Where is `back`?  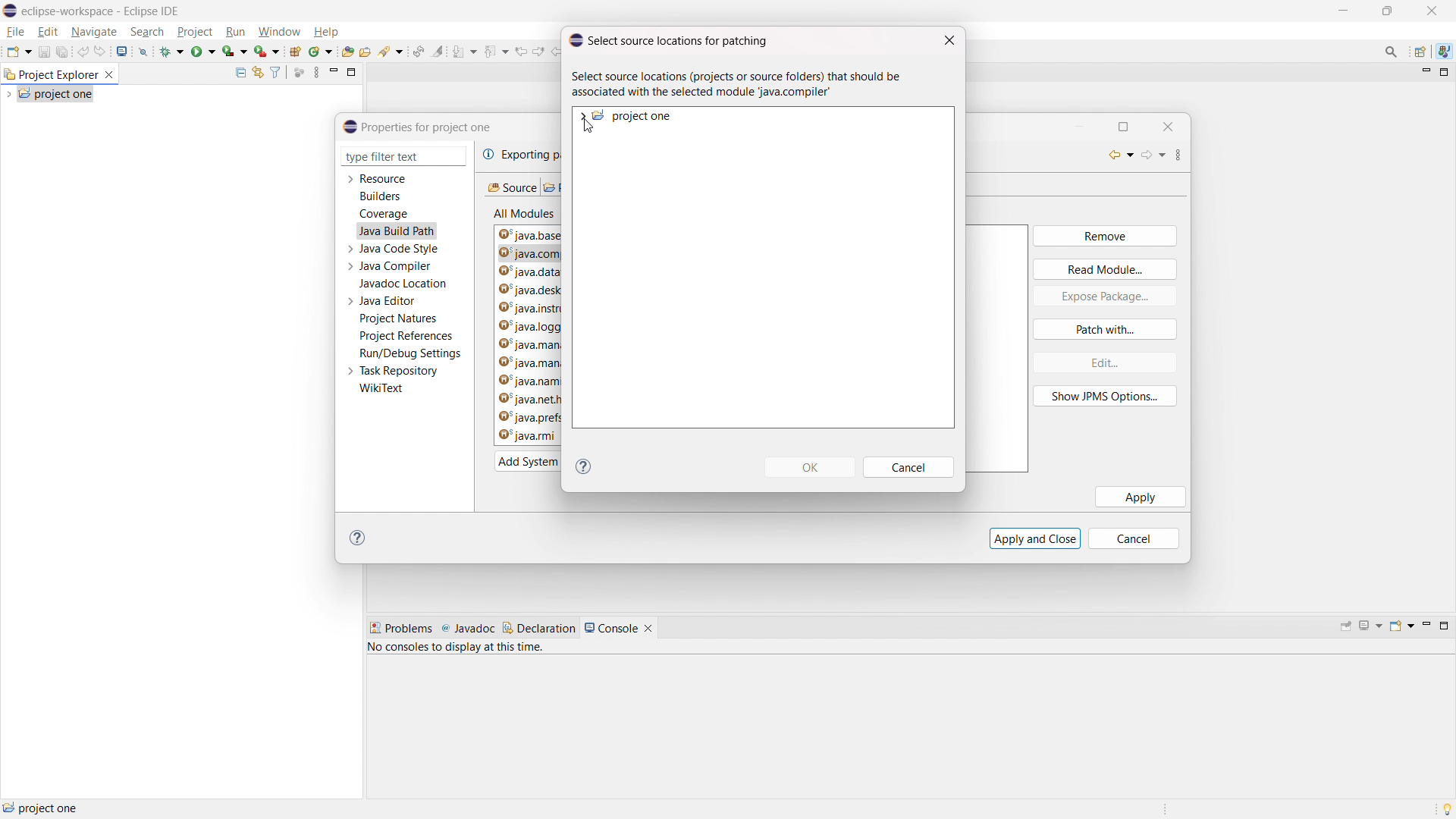 back is located at coordinates (1116, 155).